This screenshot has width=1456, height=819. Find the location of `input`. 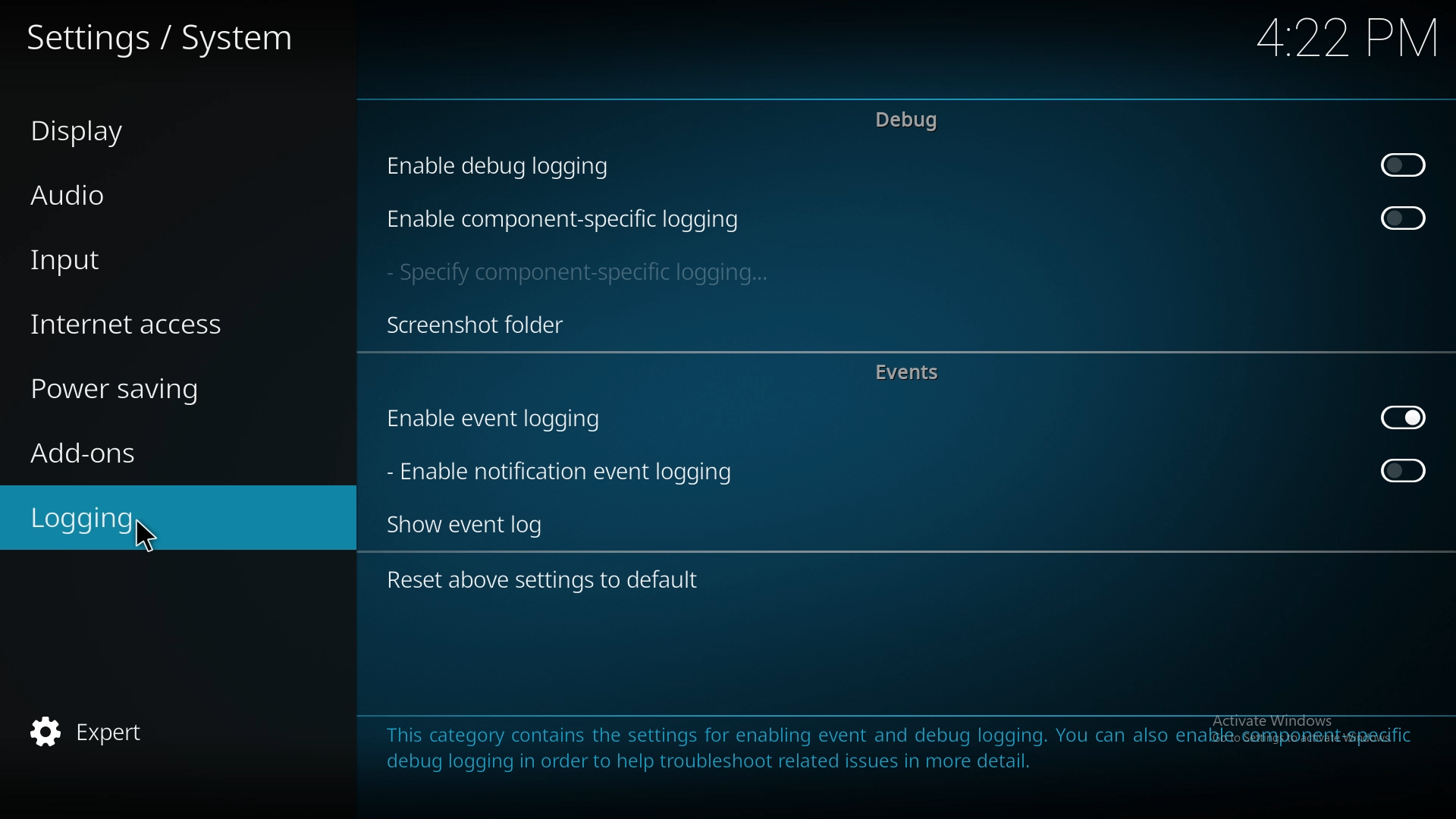

input is located at coordinates (164, 262).